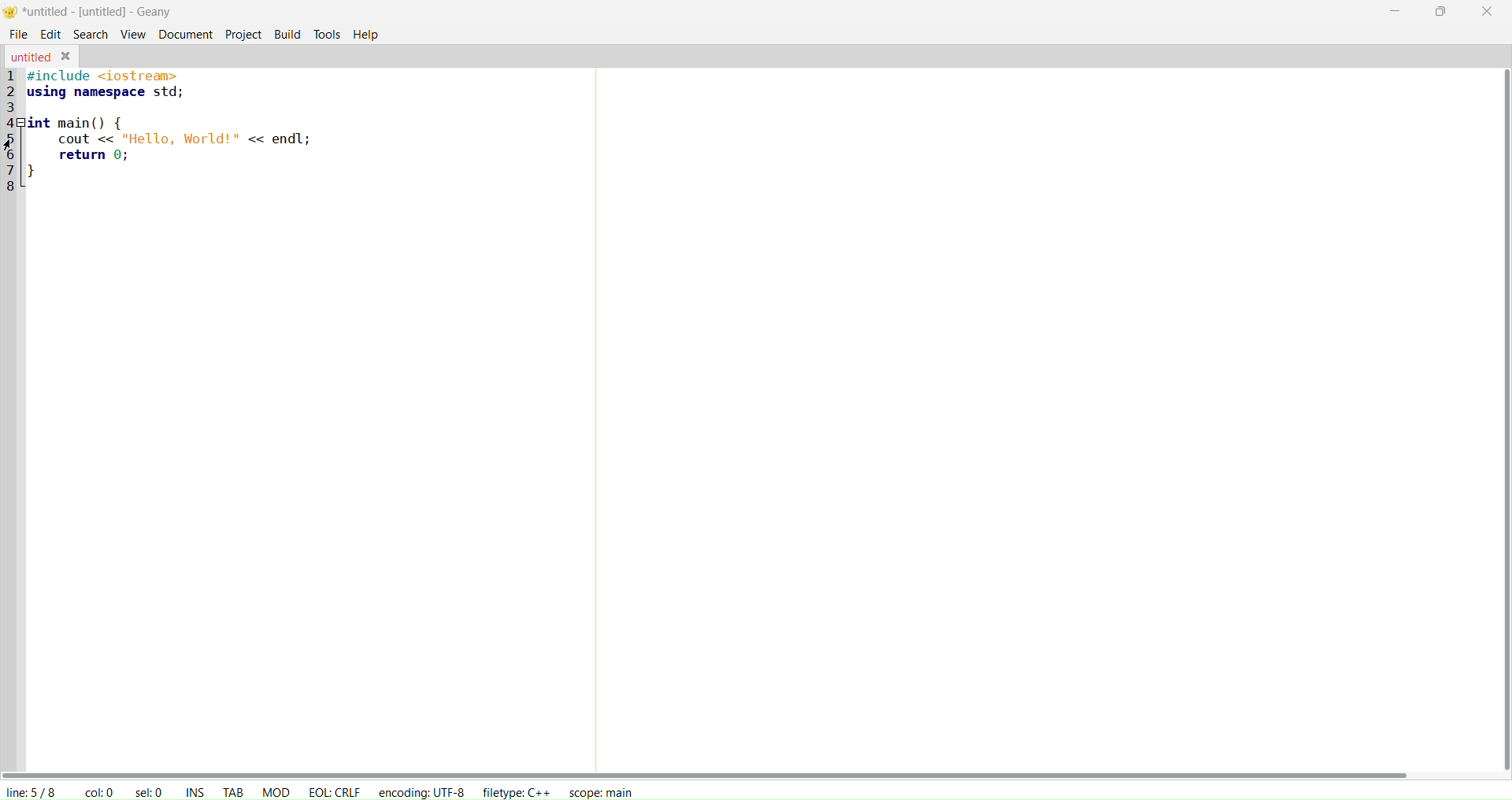  Describe the element at coordinates (1395, 11) in the screenshot. I see `minimize` at that location.